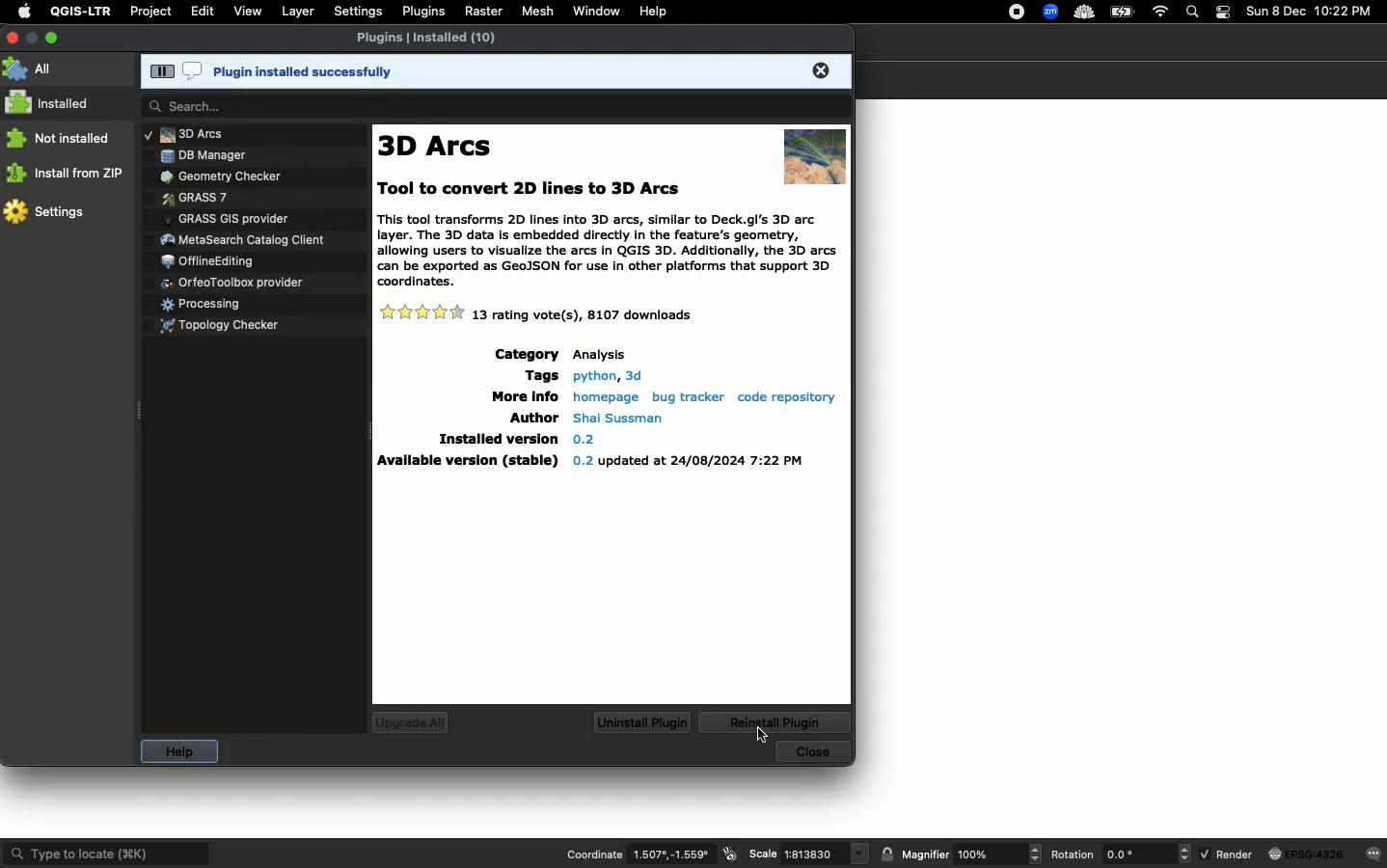 This screenshot has height=868, width=1387. I want to click on code repository, so click(788, 396).